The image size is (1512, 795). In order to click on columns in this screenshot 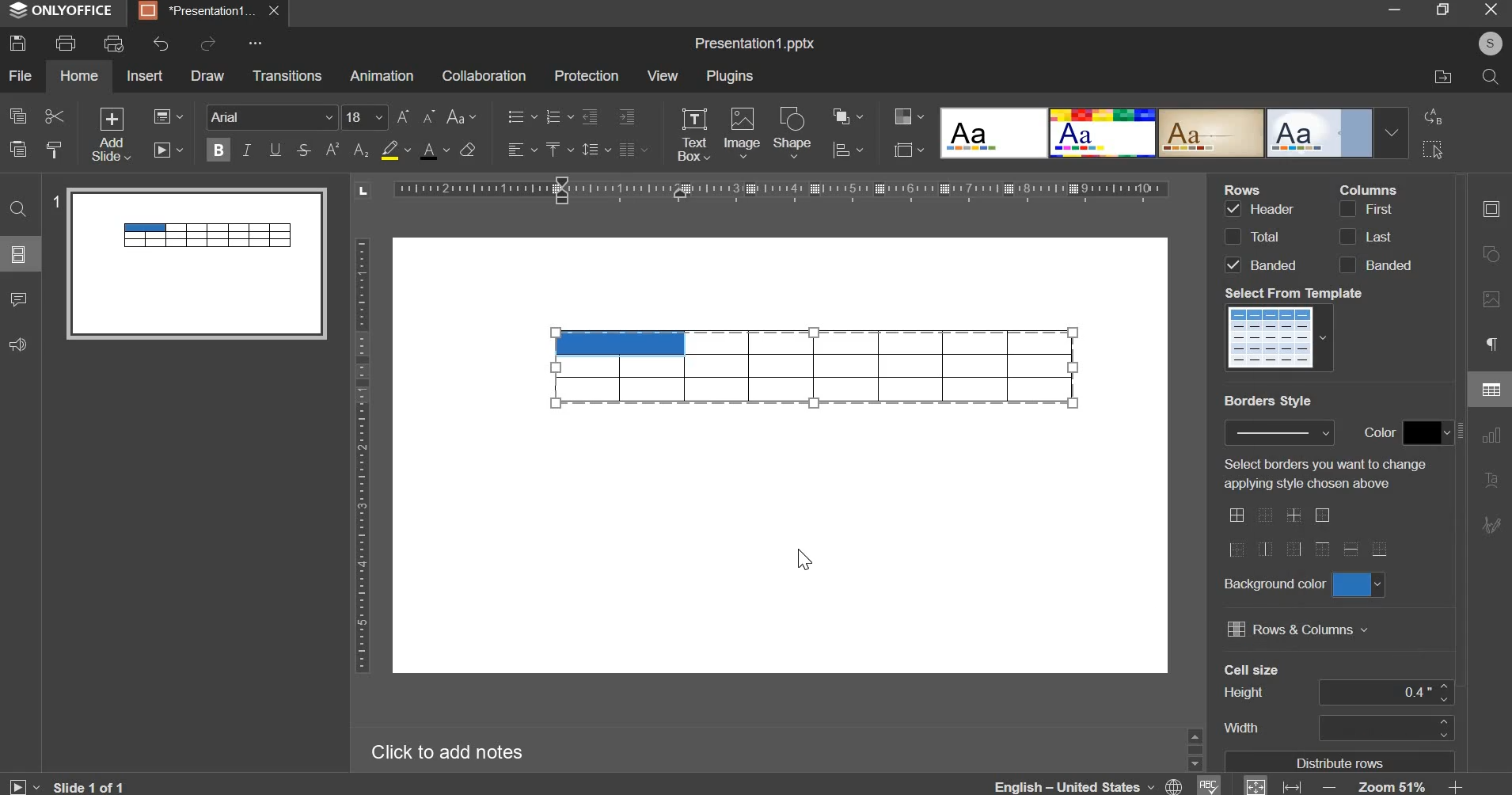, I will do `click(1373, 236)`.